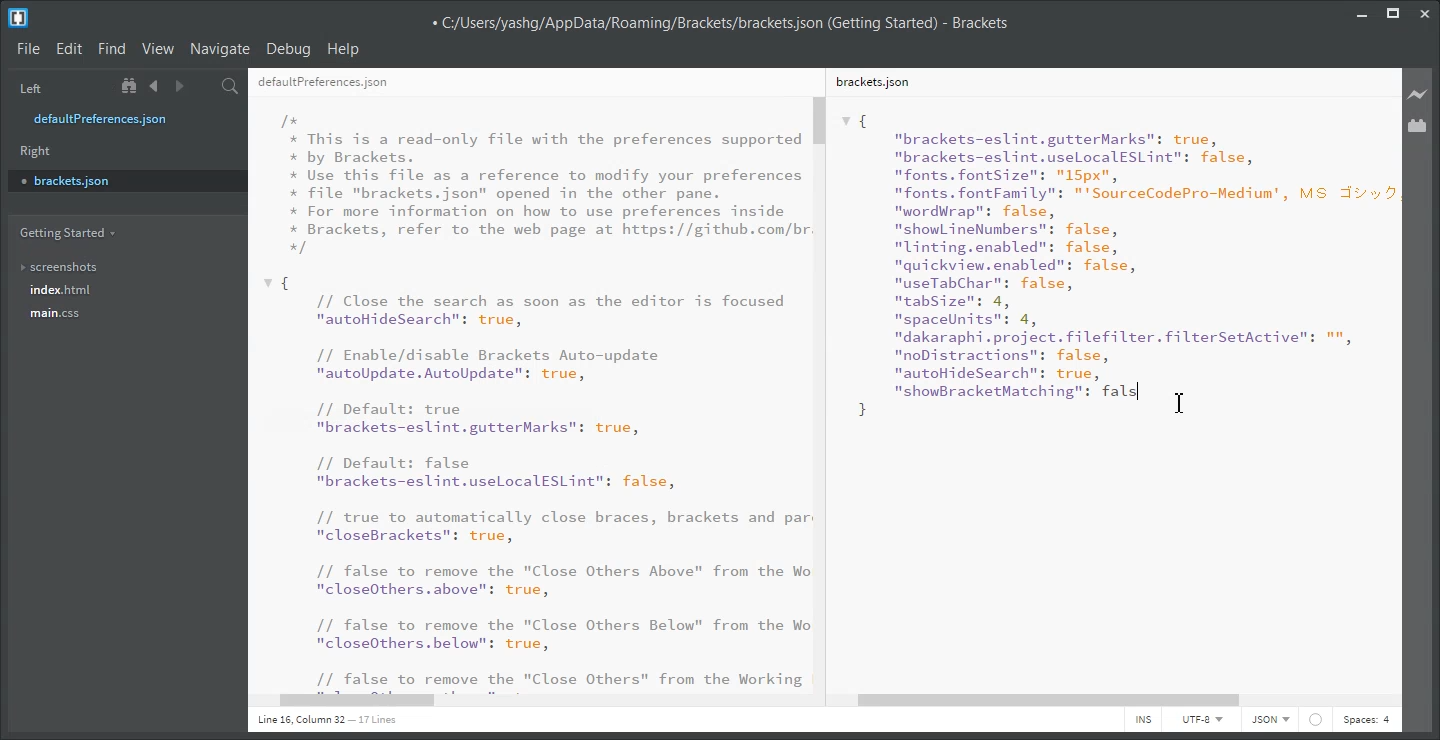 The width and height of the screenshot is (1440, 740). What do you see at coordinates (324, 721) in the screenshot?
I see `Line 1, Column 1 - 17 Lines` at bounding box center [324, 721].